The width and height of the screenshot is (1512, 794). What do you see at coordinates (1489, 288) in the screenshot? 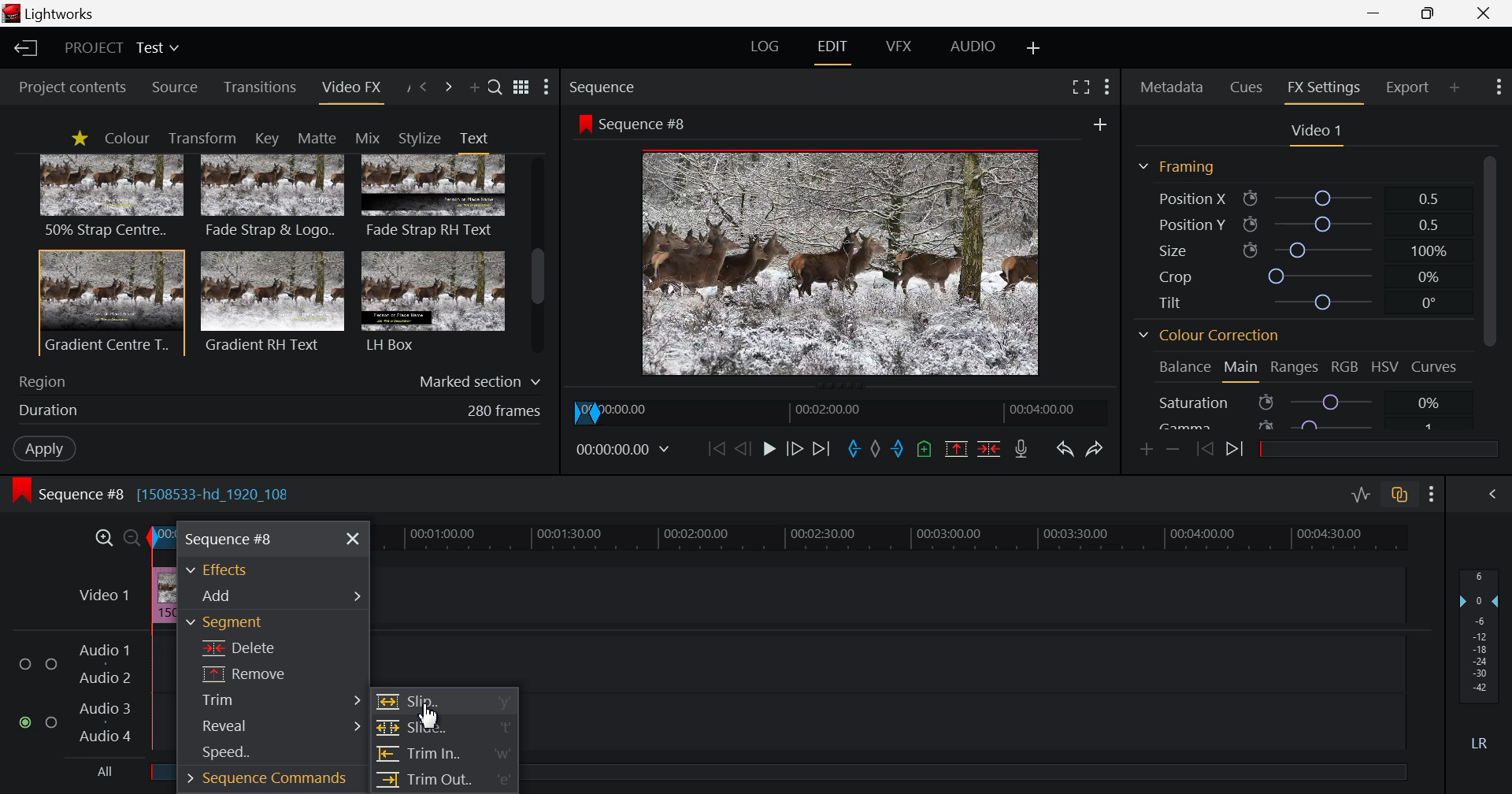
I see `Scroll Bar` at bounding box center [1489, 288].